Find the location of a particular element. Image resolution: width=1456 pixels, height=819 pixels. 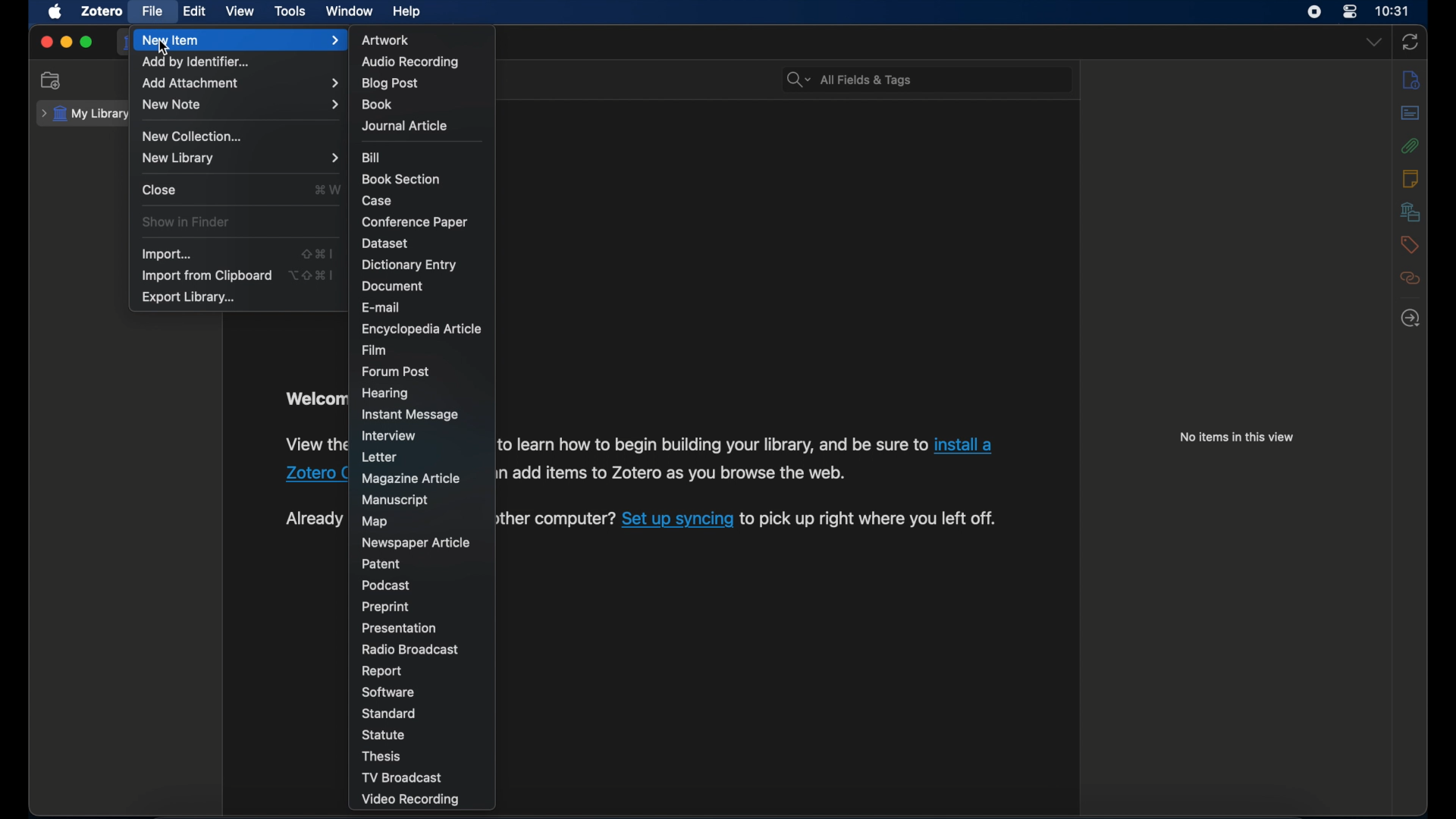

add attachment is located at coordinates (240, 83).